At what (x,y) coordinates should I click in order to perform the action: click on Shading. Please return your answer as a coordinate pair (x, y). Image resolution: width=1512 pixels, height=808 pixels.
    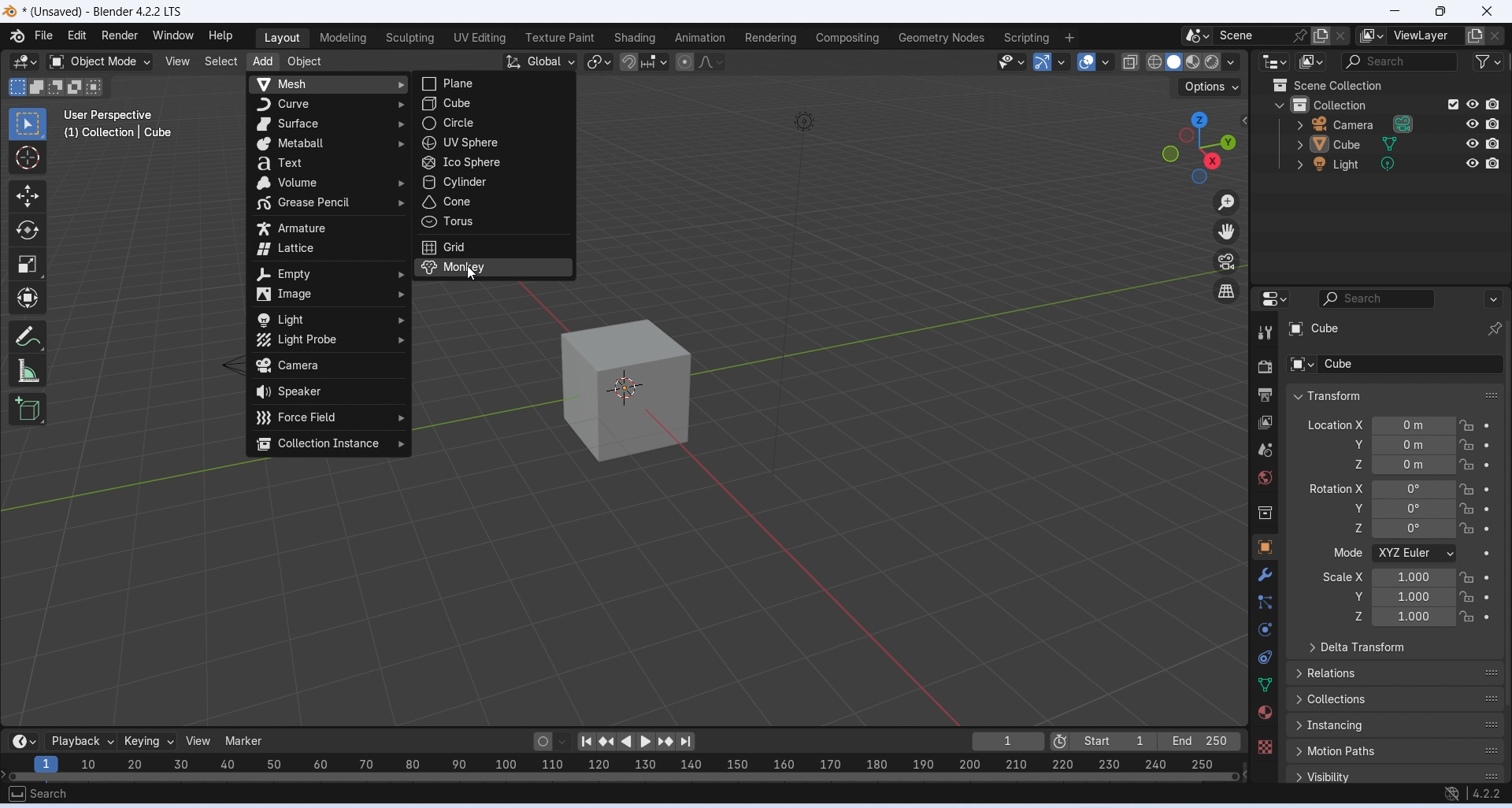
    Looking at the image, I should click on (633, 38).